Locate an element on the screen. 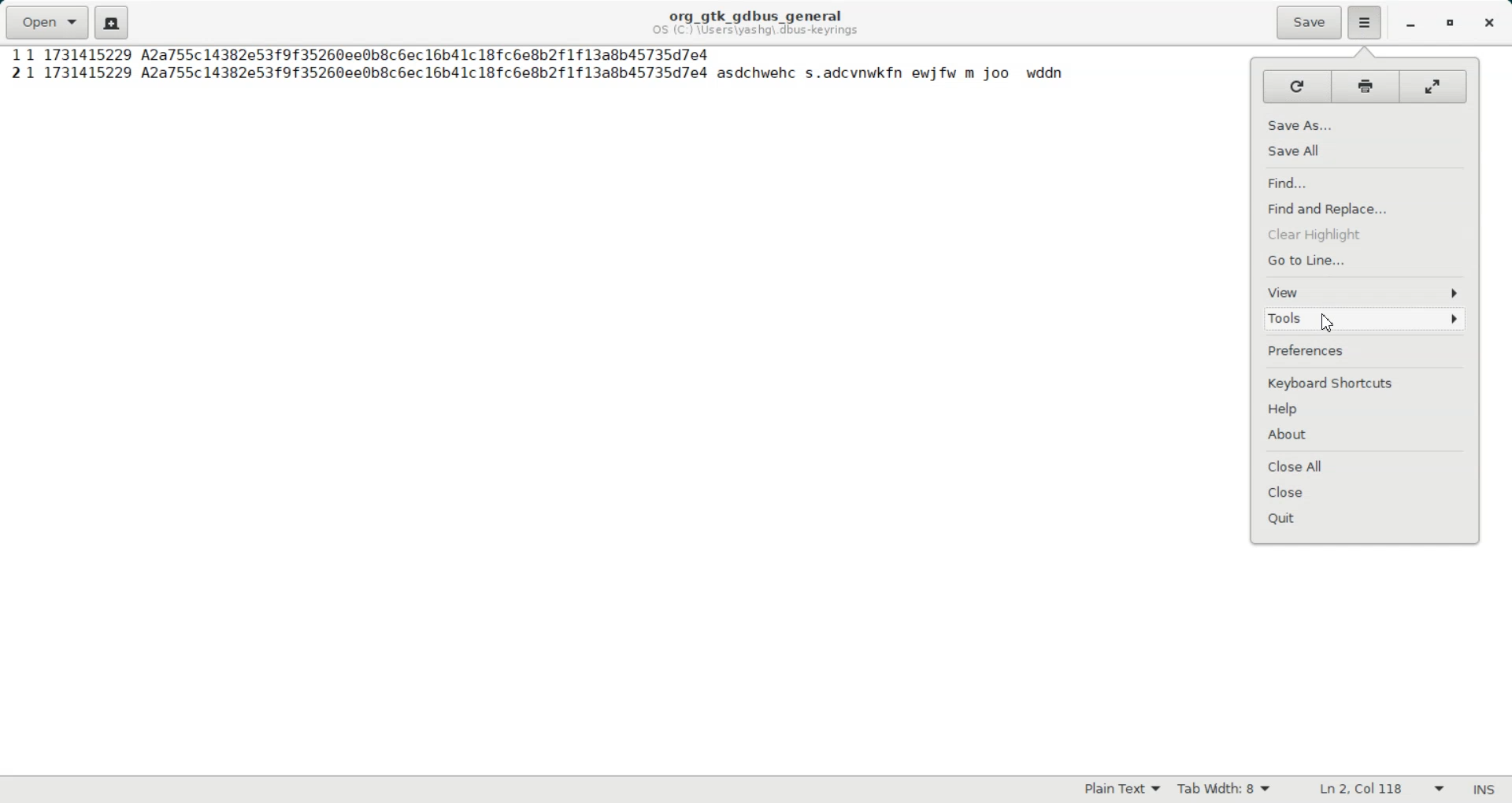 The image size is (1512, 803). Keyboard Shortcuts is located at coordinates (1366, 383).